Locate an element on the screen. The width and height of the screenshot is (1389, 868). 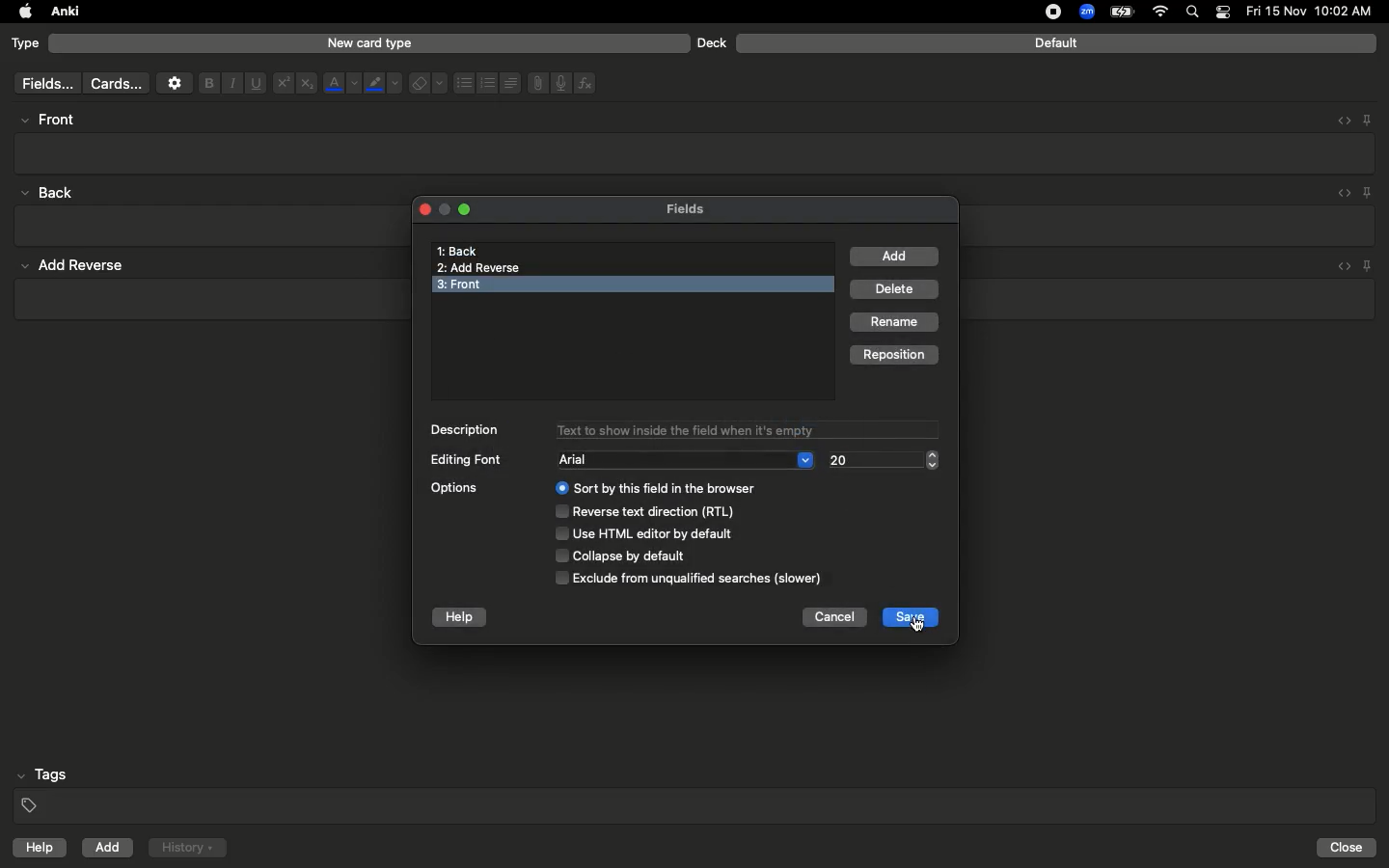
Type is located at coordinates (26, 44).